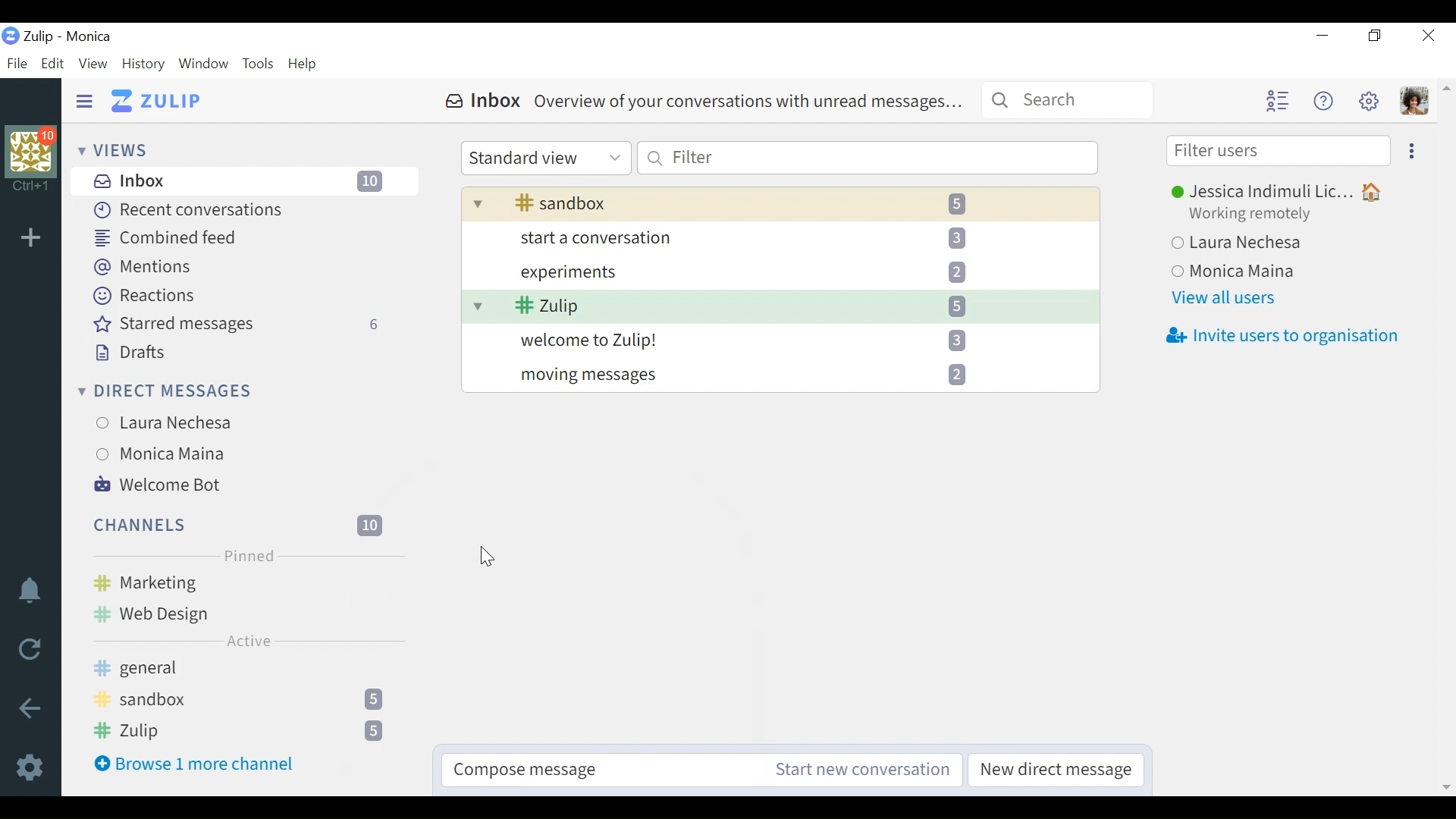  Describe the element at coordinates (1282, 337) in the screenshot. I see `Invite users to organisation` at that location.